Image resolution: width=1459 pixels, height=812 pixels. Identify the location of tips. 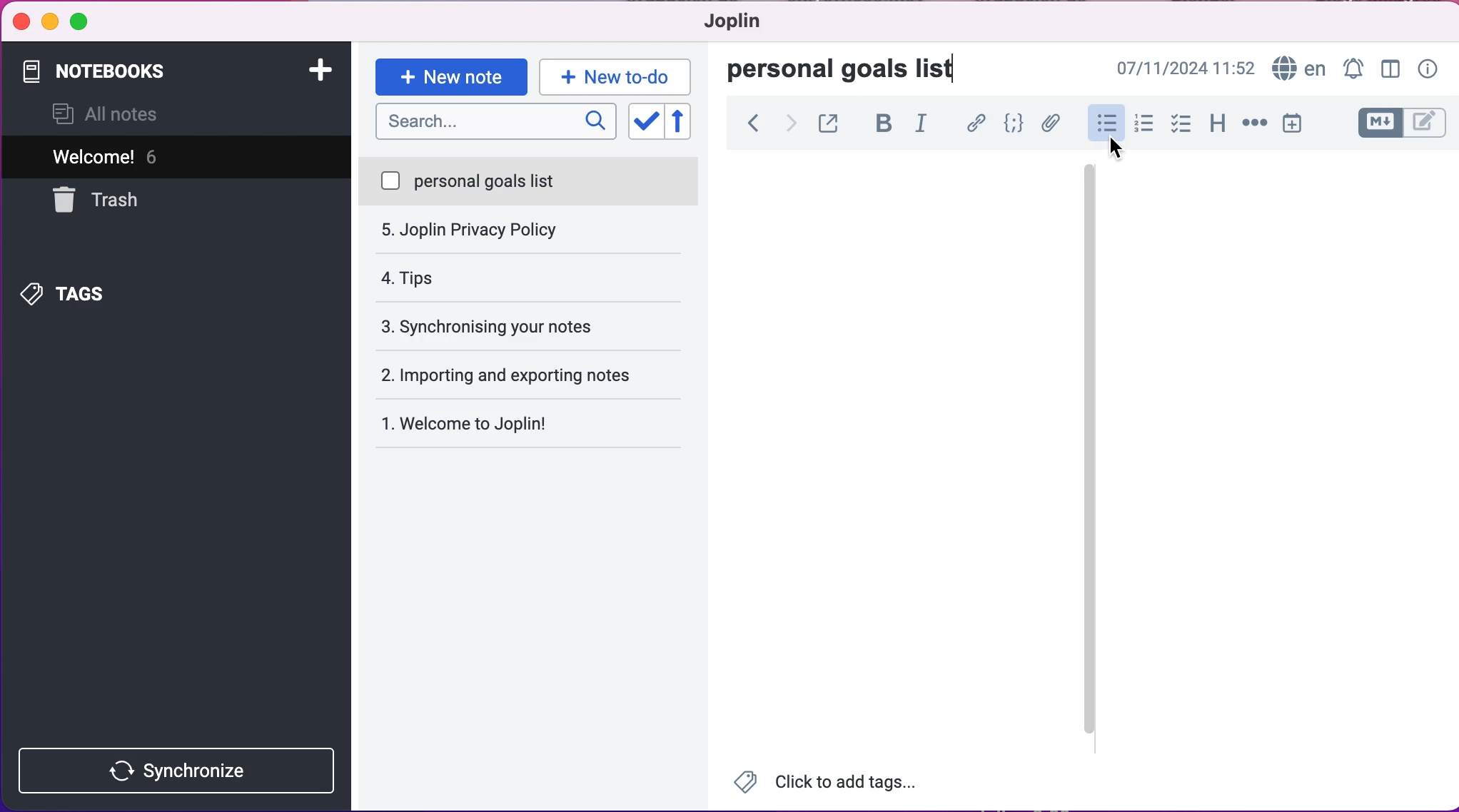
(527, 231).